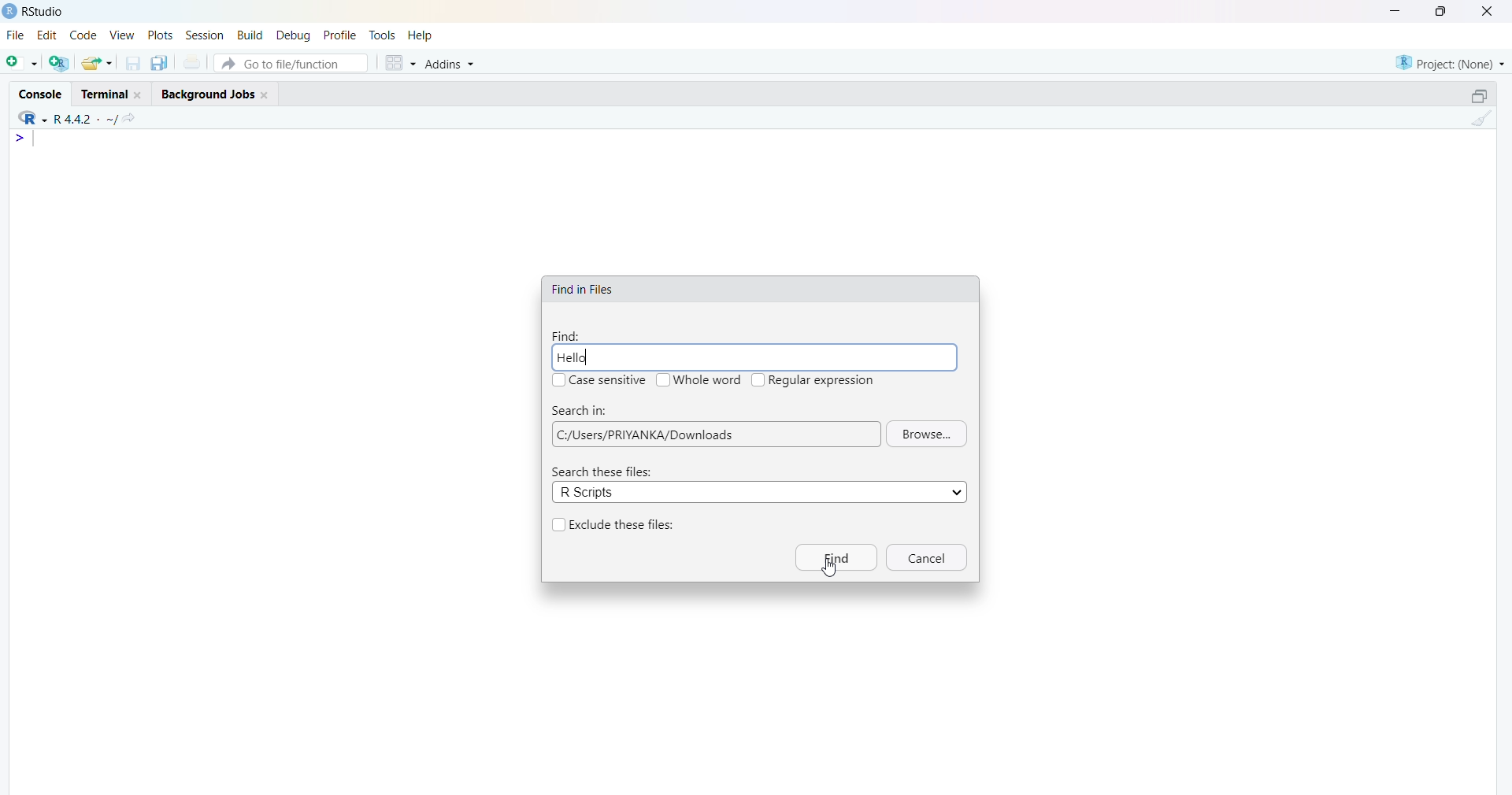 The height and width of the screenshot is (795, 1512). Describe the element at coordinates (42, 94) in the screenshot. I see `console` at that location.